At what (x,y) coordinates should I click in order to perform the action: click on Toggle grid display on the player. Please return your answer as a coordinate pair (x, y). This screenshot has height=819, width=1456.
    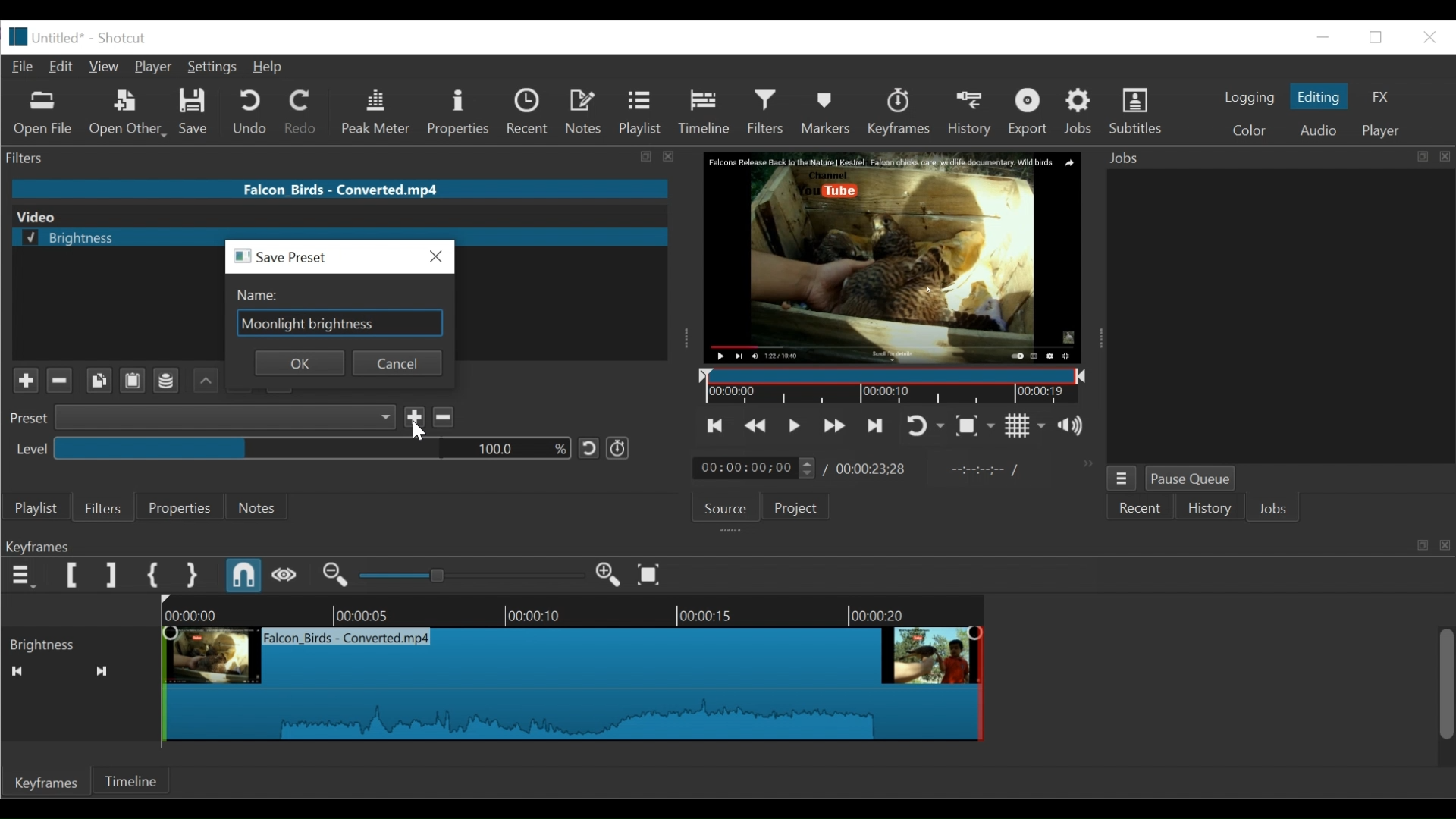
    Looking at the image, I should click on (1026, 426).